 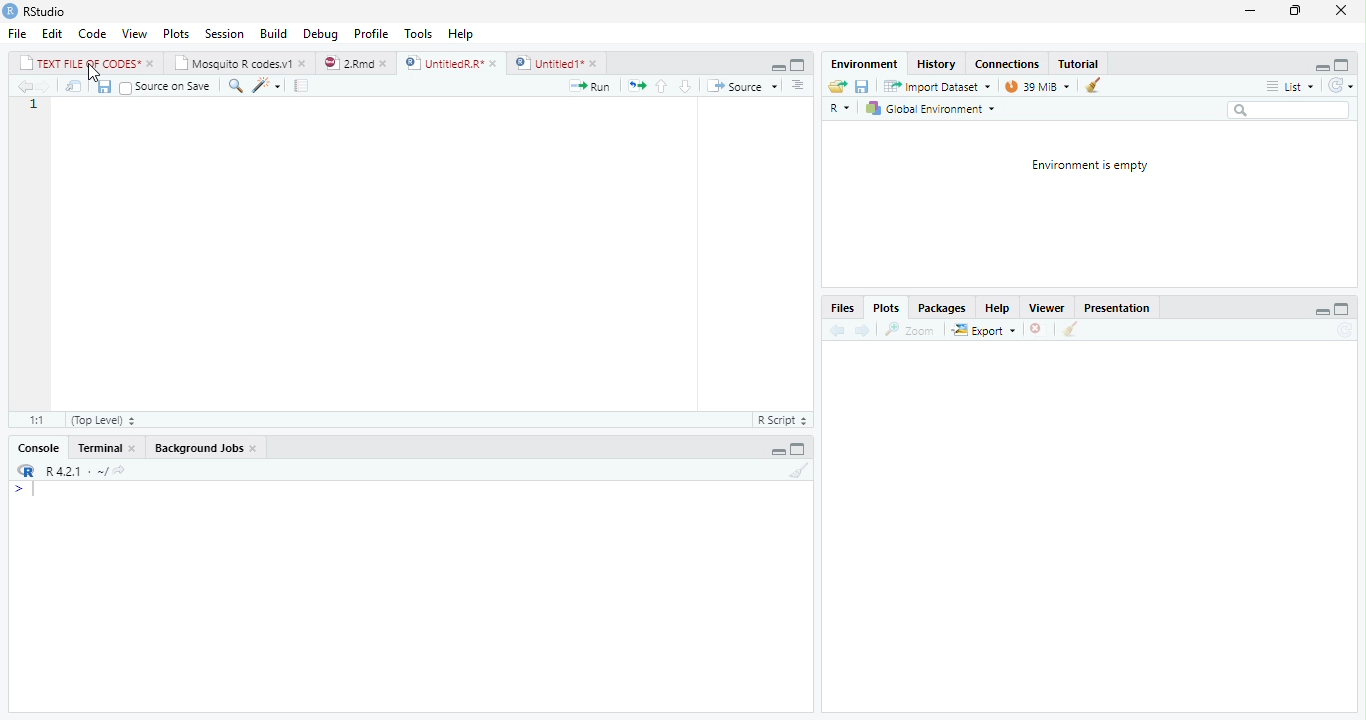 What do you see at coordinates (1345, 63) in the screenshot?
I see `Maximize` at bounding box center [1345, 63].